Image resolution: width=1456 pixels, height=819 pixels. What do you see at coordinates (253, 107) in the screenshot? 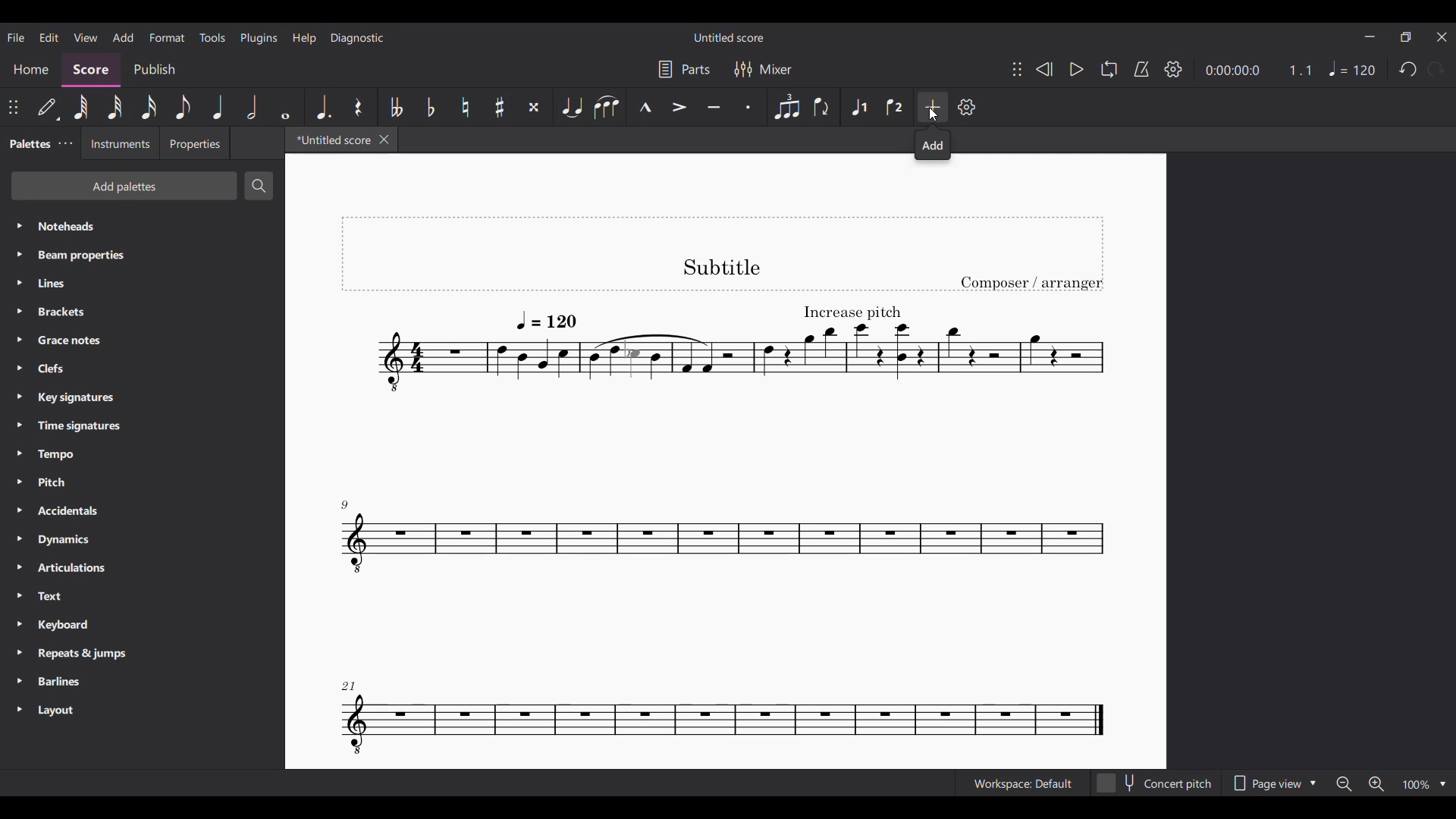
I see `Half note` at bounding box center [253, 107].